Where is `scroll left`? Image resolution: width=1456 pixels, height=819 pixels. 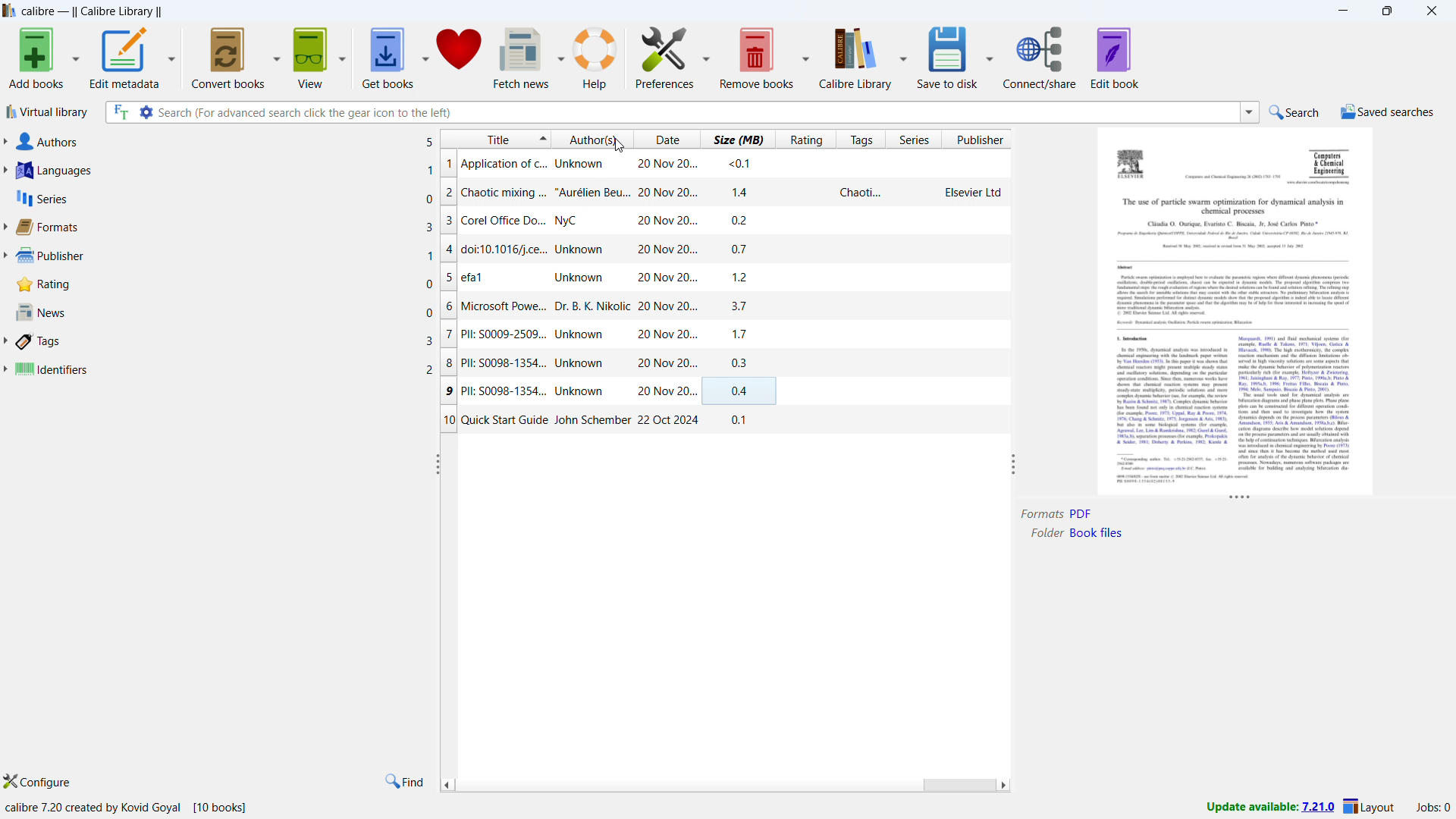 scroll left is located at coordinates (447, 783).